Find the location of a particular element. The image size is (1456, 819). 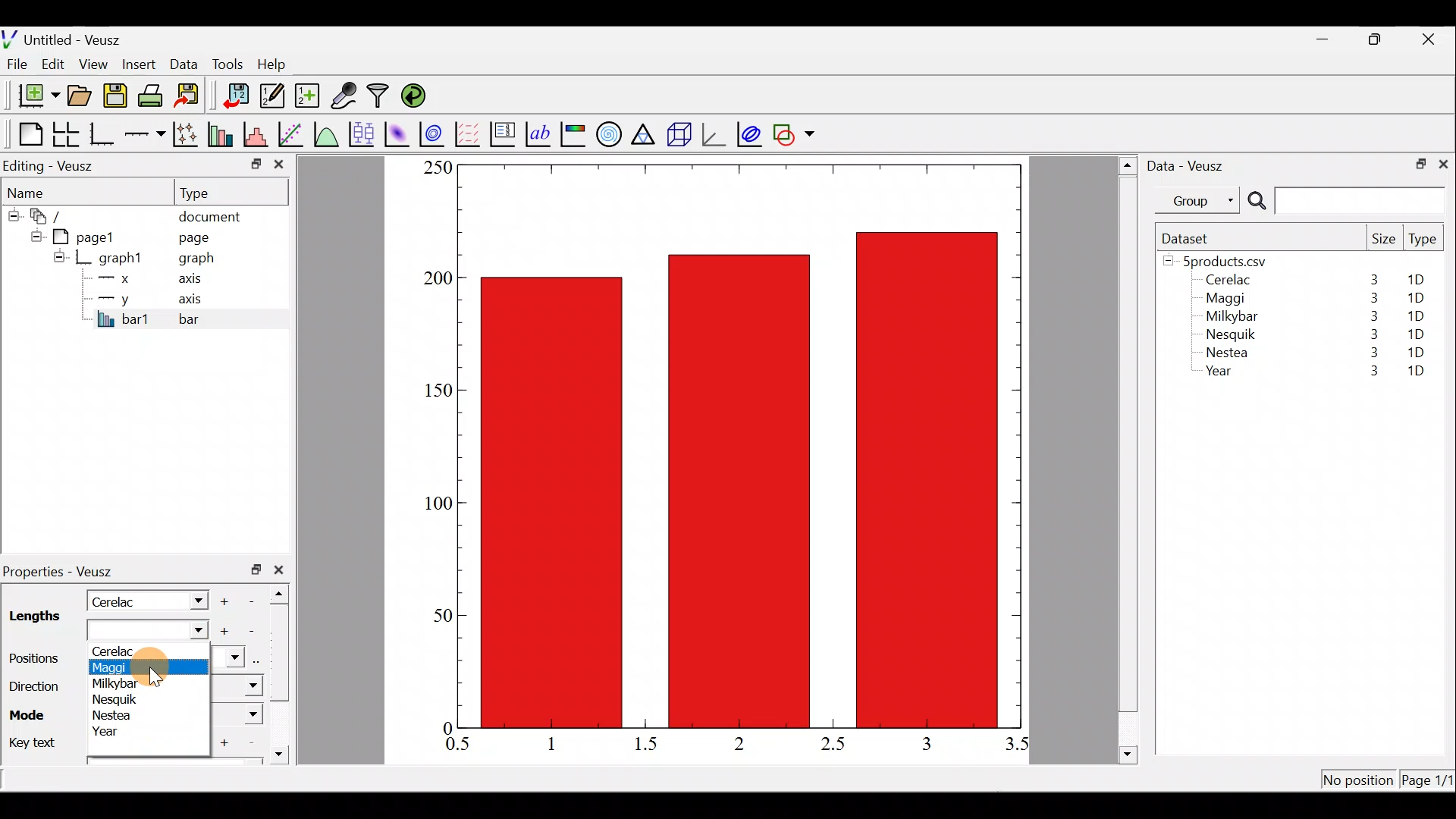

bar is located at coordinates (214, 318).